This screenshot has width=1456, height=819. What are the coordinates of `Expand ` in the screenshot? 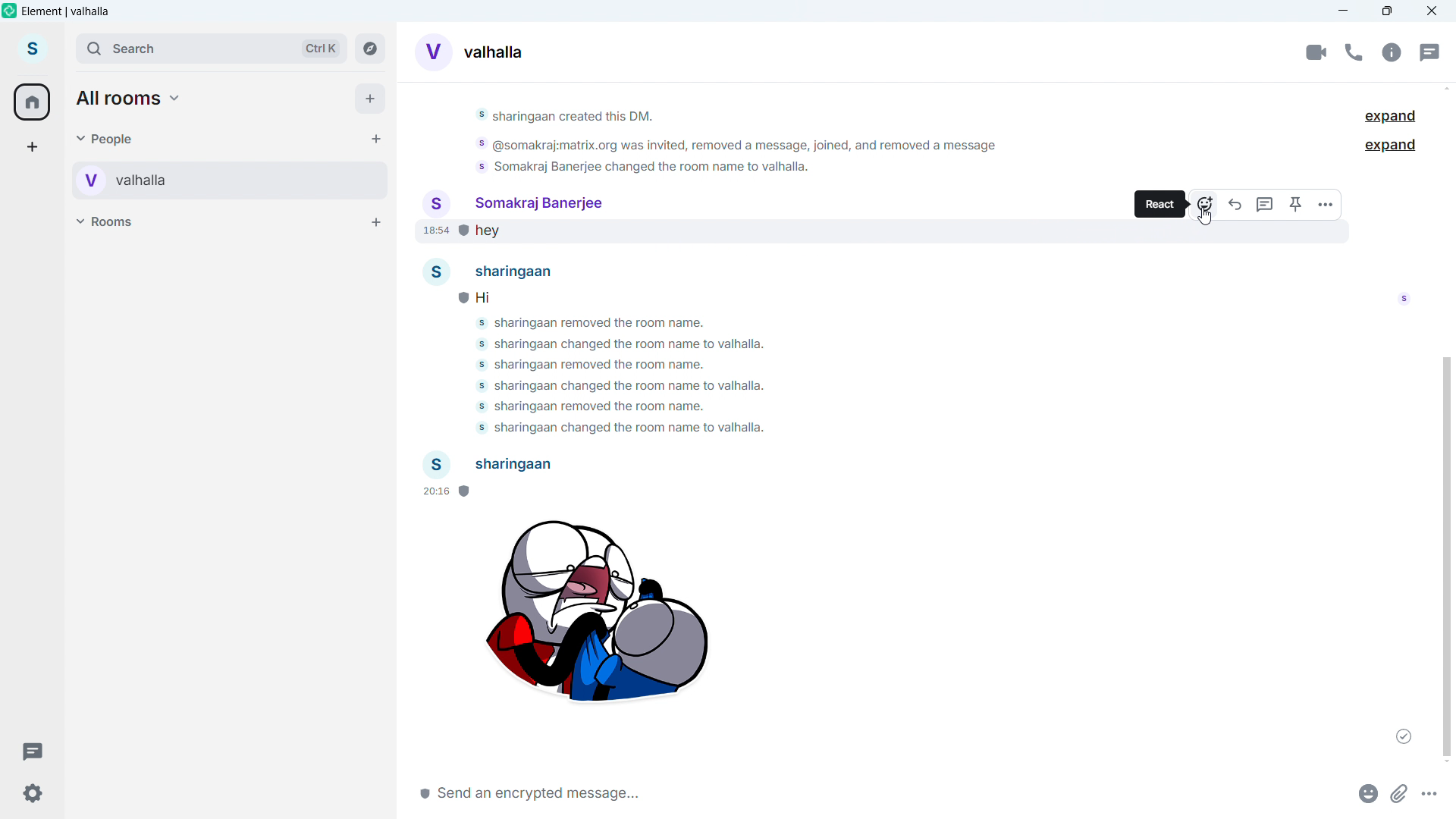 It's located at (1390, 115).